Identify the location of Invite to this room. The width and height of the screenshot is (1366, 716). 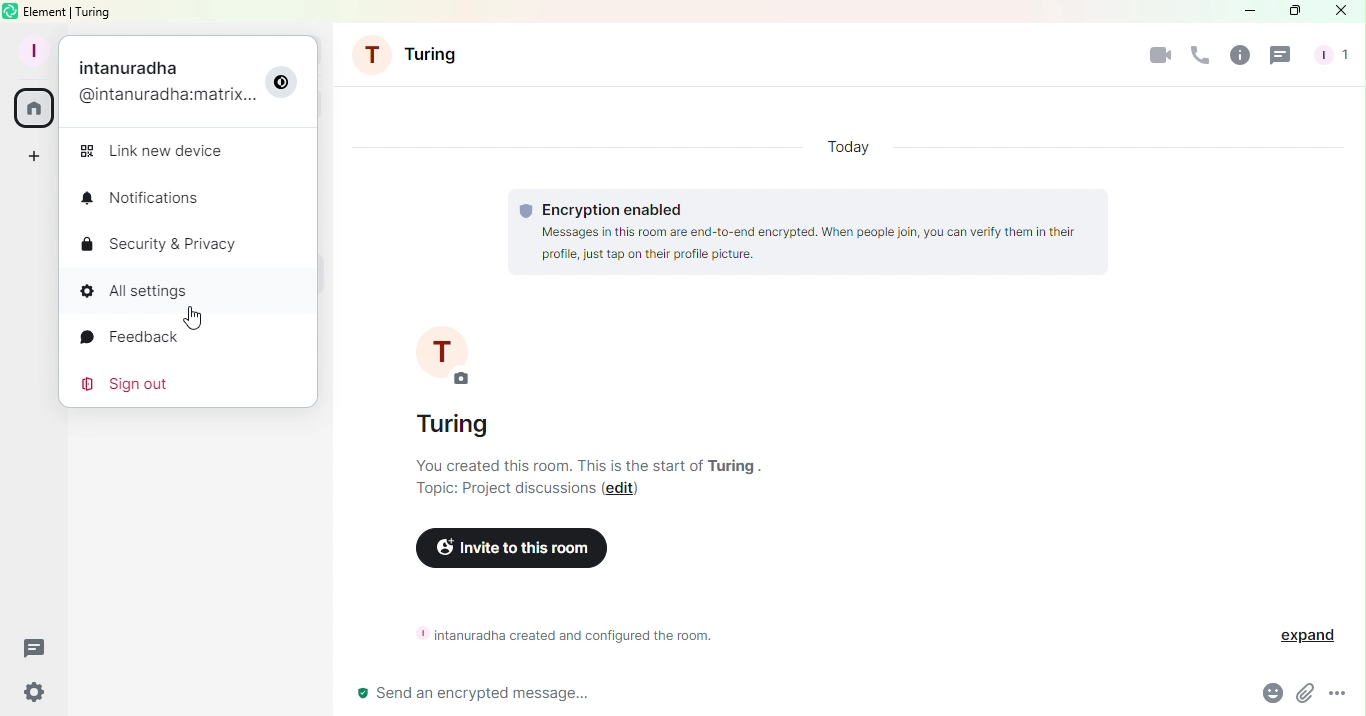
(509, 548).